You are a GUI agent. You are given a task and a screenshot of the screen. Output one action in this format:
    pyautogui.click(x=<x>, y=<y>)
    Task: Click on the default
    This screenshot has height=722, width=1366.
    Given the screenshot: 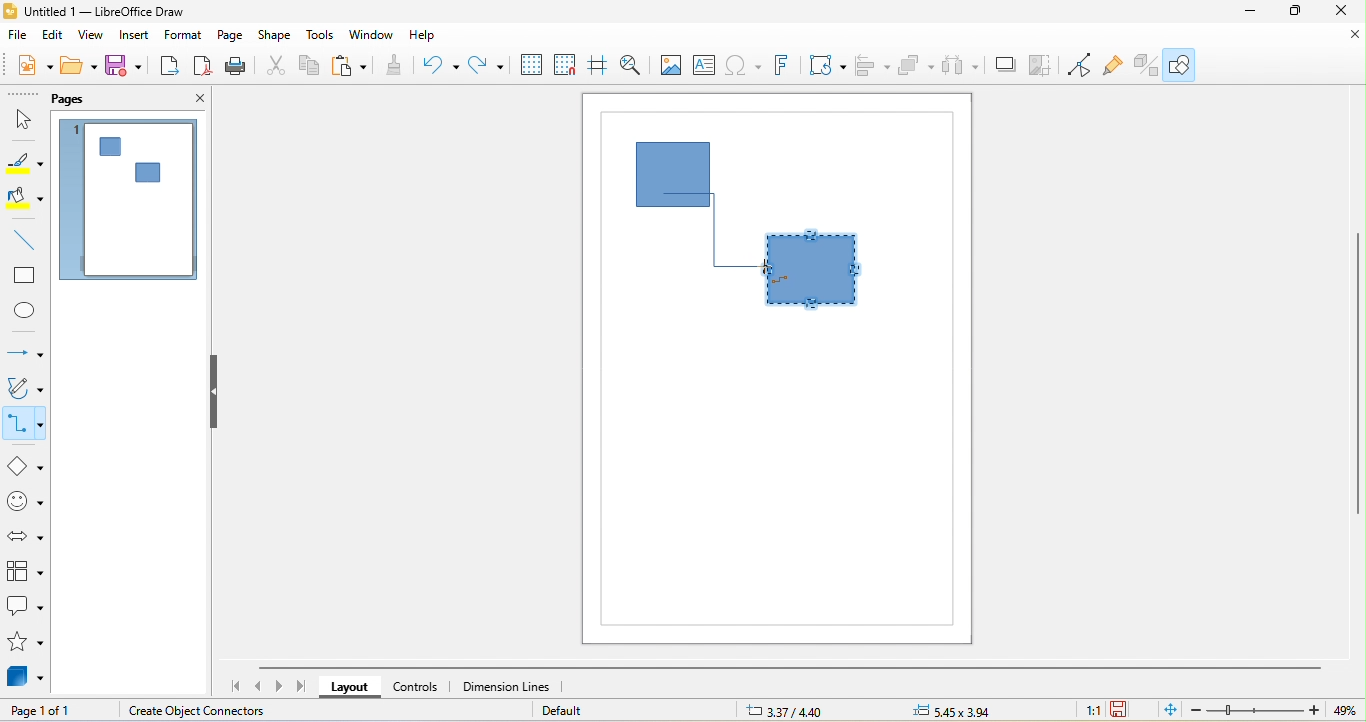 What is the action you would take?
    pyautogui.click(x=576, y=711)
    